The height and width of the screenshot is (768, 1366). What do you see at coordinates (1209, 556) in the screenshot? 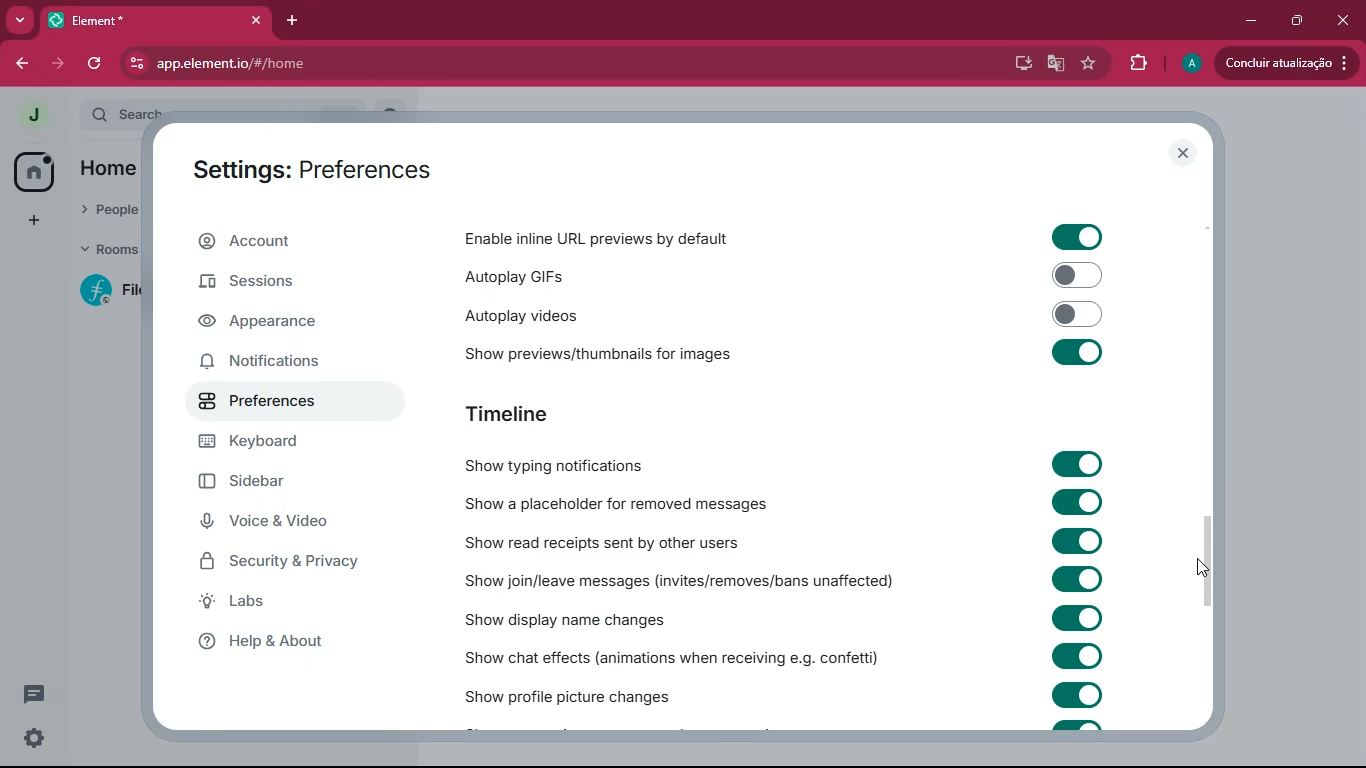
I see `scroll bar` at bounding box center [1209, 556].